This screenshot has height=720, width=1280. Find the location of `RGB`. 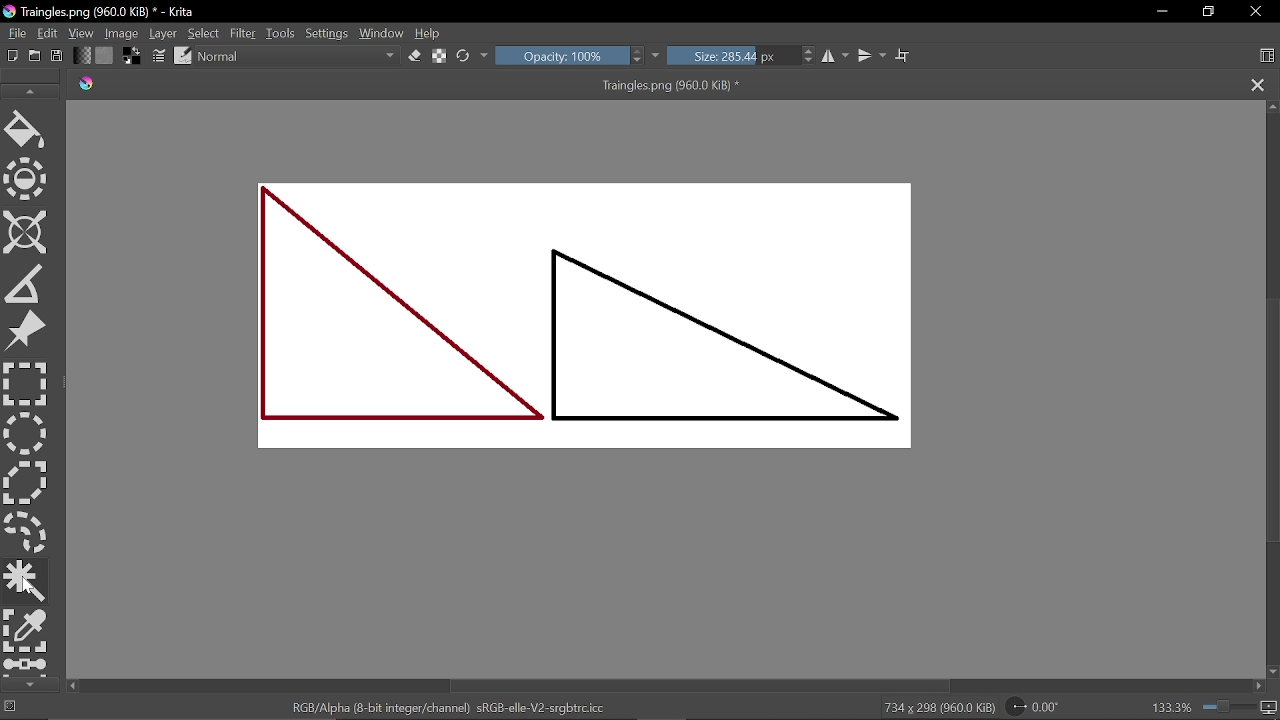

RGB is located at coordinates (447, 708).